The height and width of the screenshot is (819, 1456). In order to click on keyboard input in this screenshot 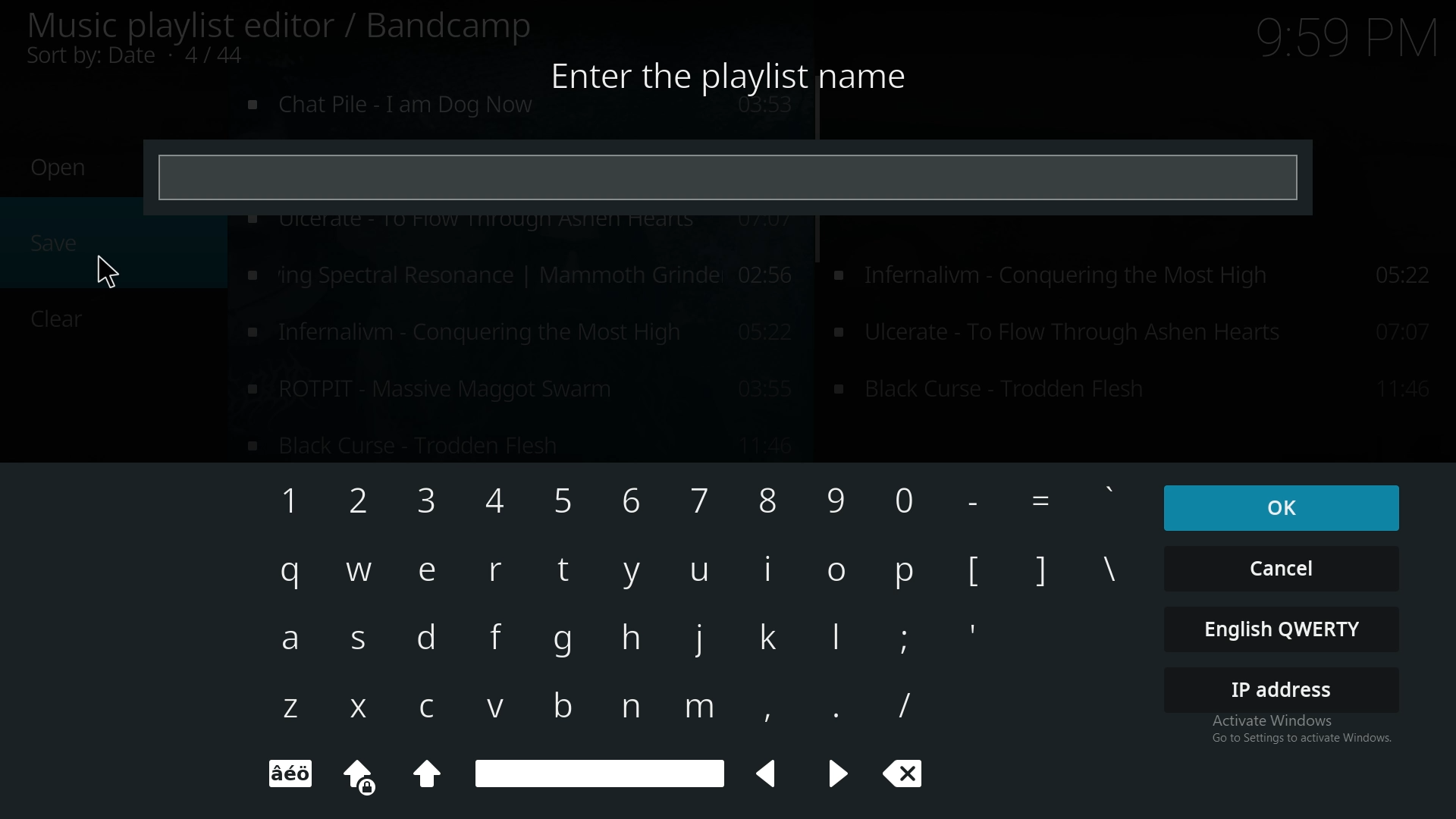, I will do `click(698, 573)`.